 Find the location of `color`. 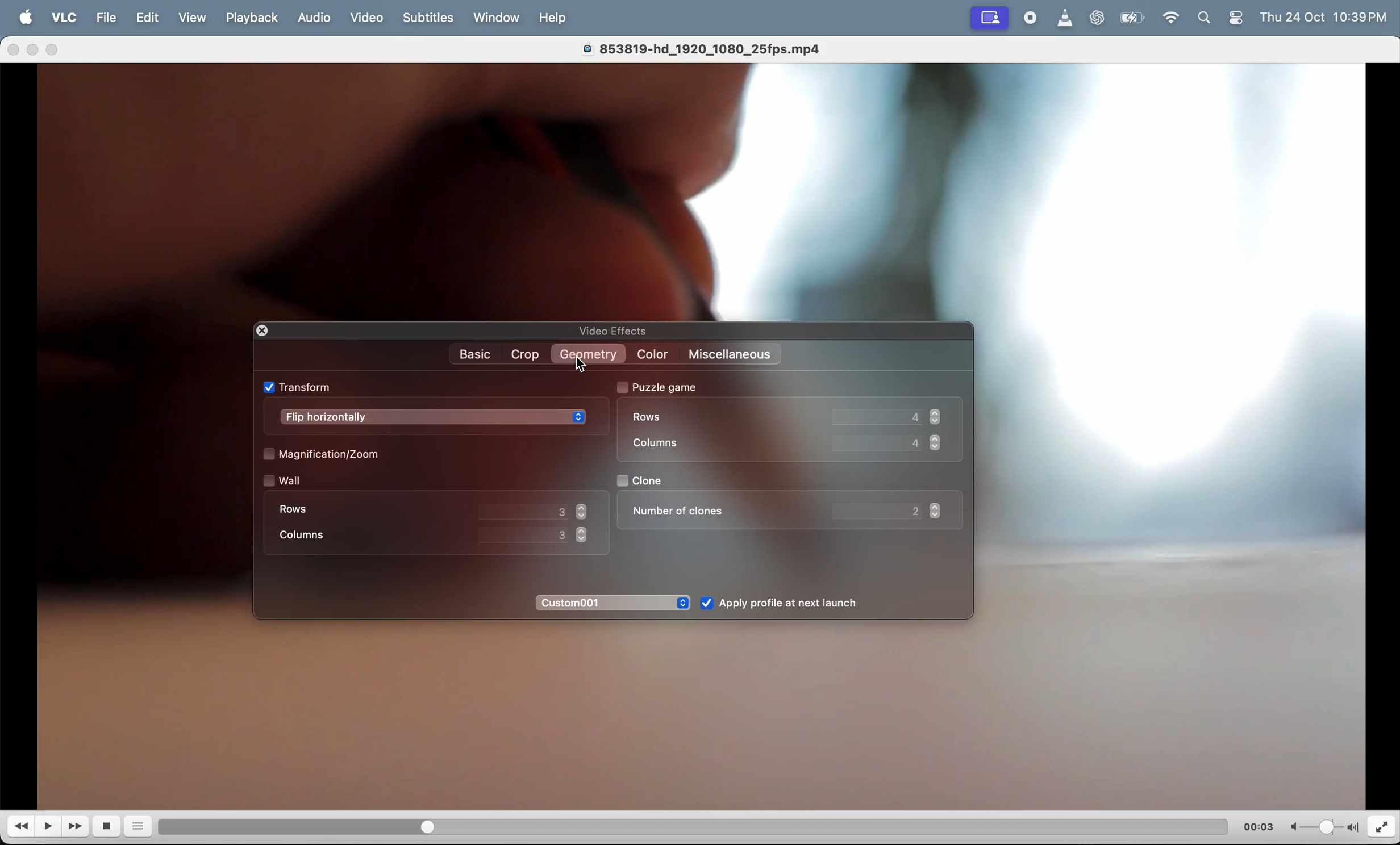

color is located at coordinates (654, 355).